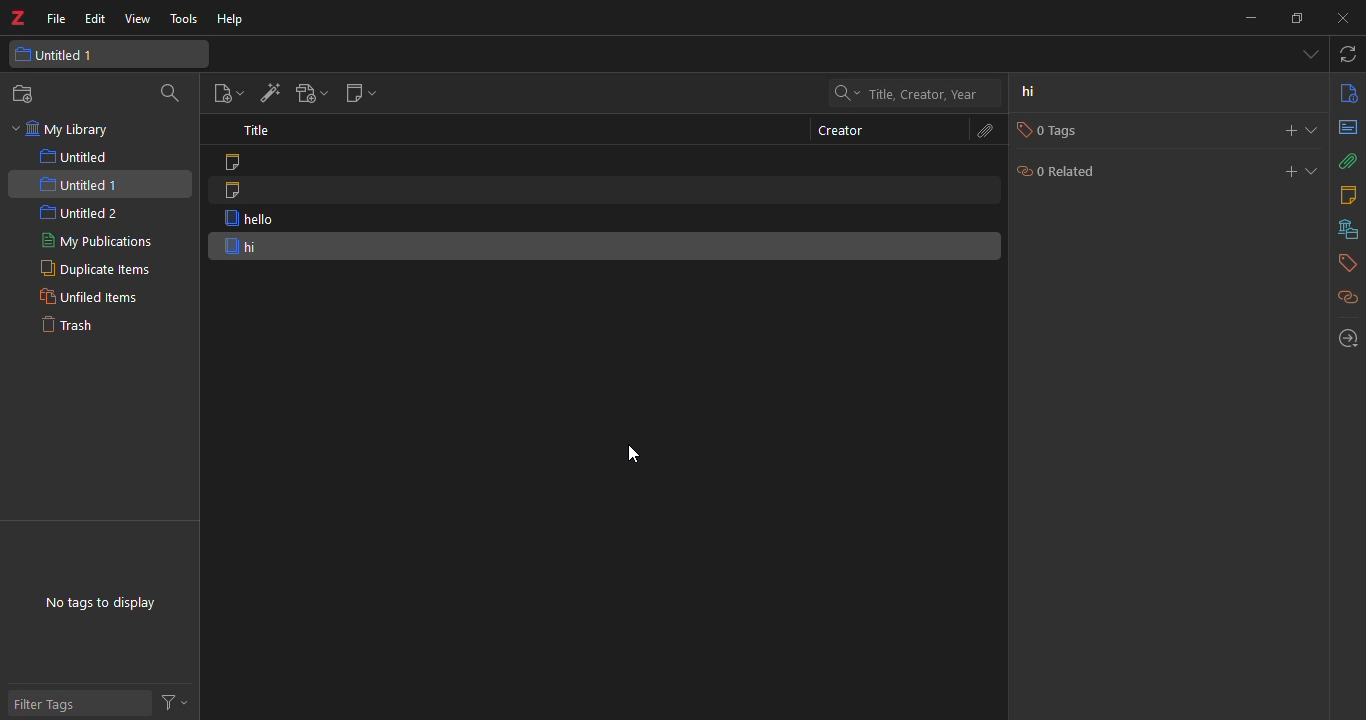 This screenshot has height=720, width=1366. Describe the element at coordinates (63, 130) in the screenshot. I see `my library` at that location.